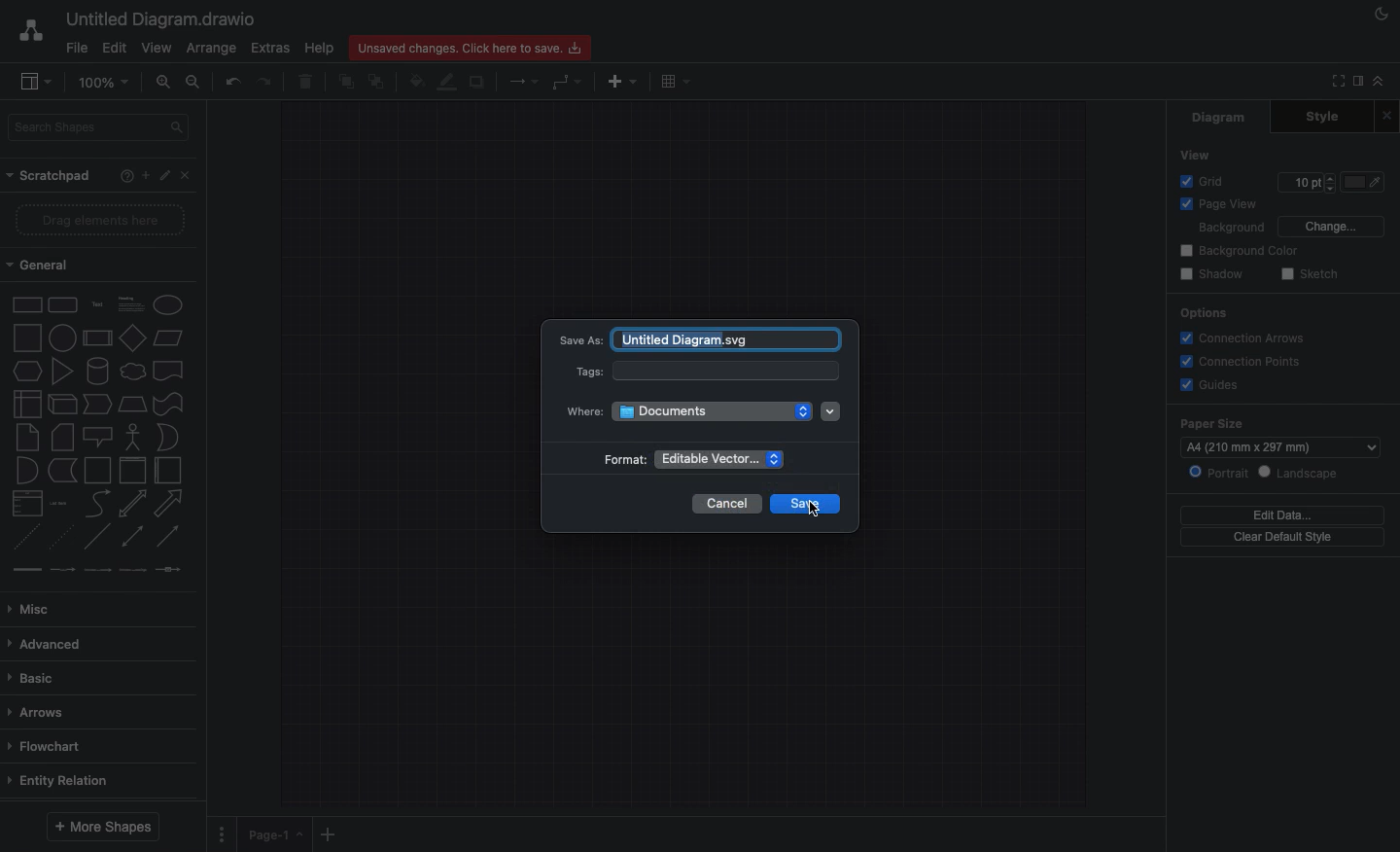  What do you see at coordinates (1285, 538) in the screenshot?
I see `Clear default style` at bounding box center [1285, 538].